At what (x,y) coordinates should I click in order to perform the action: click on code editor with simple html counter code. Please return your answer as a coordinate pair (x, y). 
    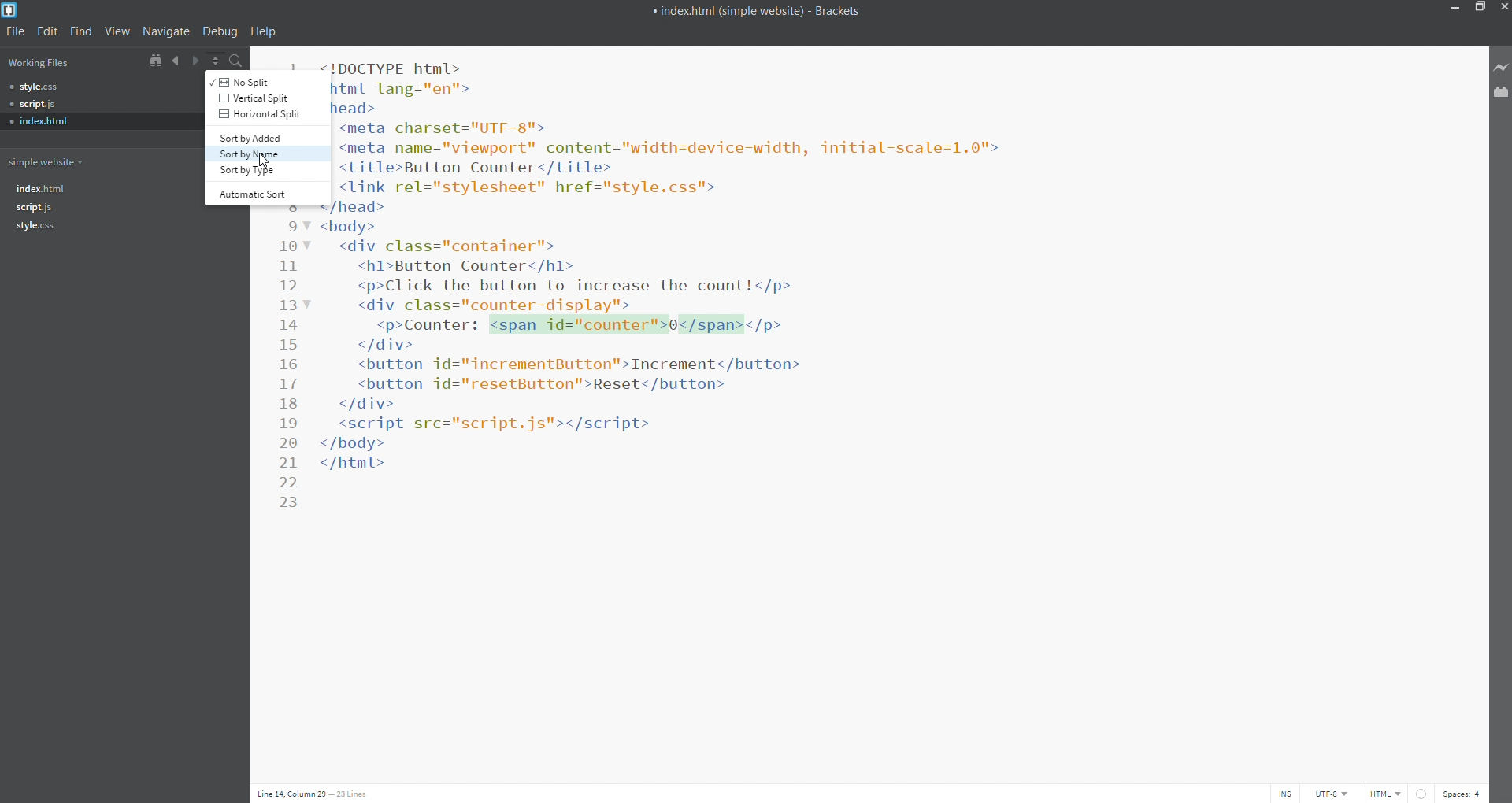
    Looking at the image, I should click on (895, 387).